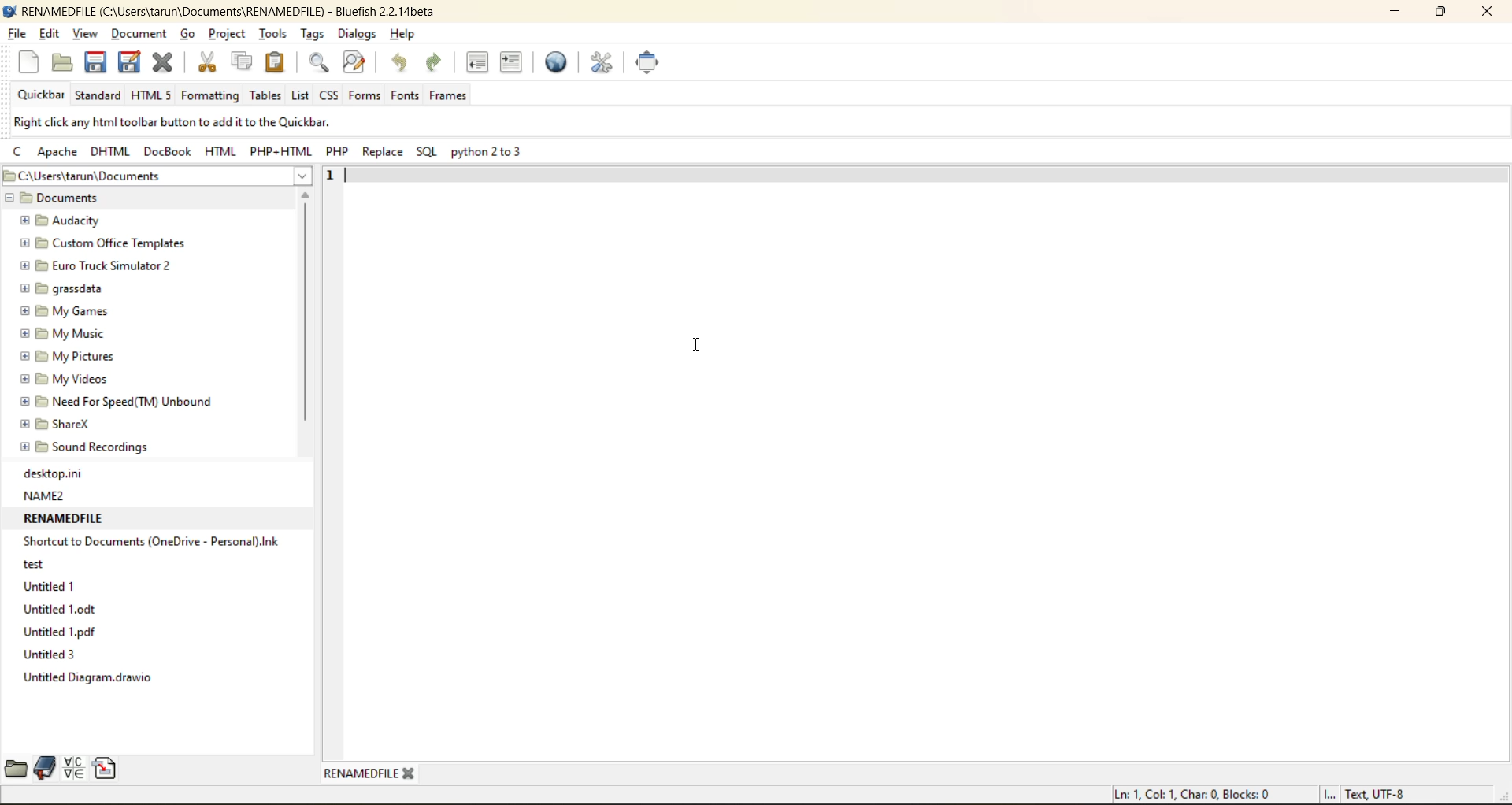 Image resolution: width=1512 pixels, height=805 pixels. Describe the element at coordinates (81, 32) in the screenshot. I see `view` at that location.